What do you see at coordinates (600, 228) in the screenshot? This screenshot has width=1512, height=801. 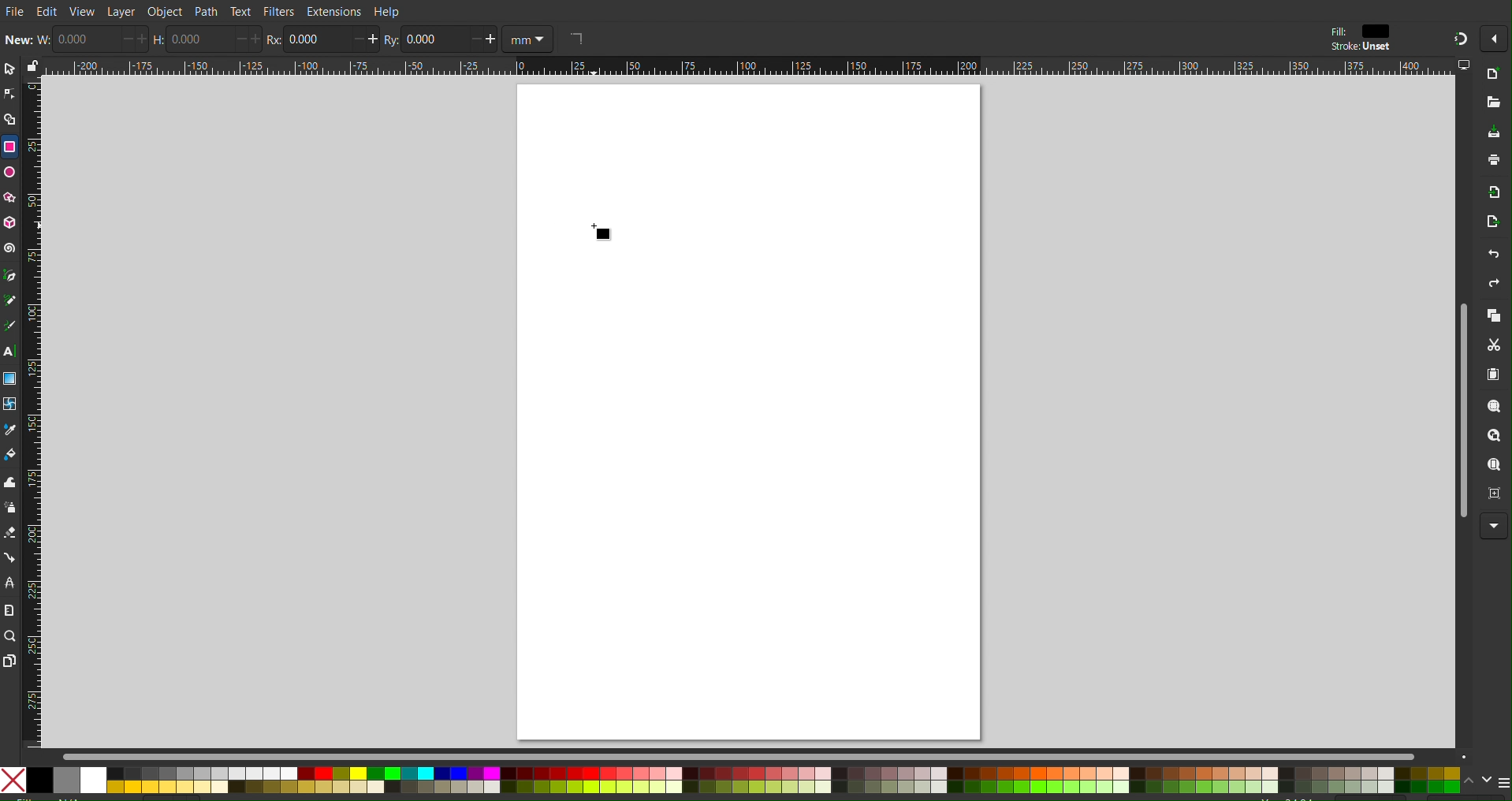 I see `Cursor` at bounding box center [600, 228].